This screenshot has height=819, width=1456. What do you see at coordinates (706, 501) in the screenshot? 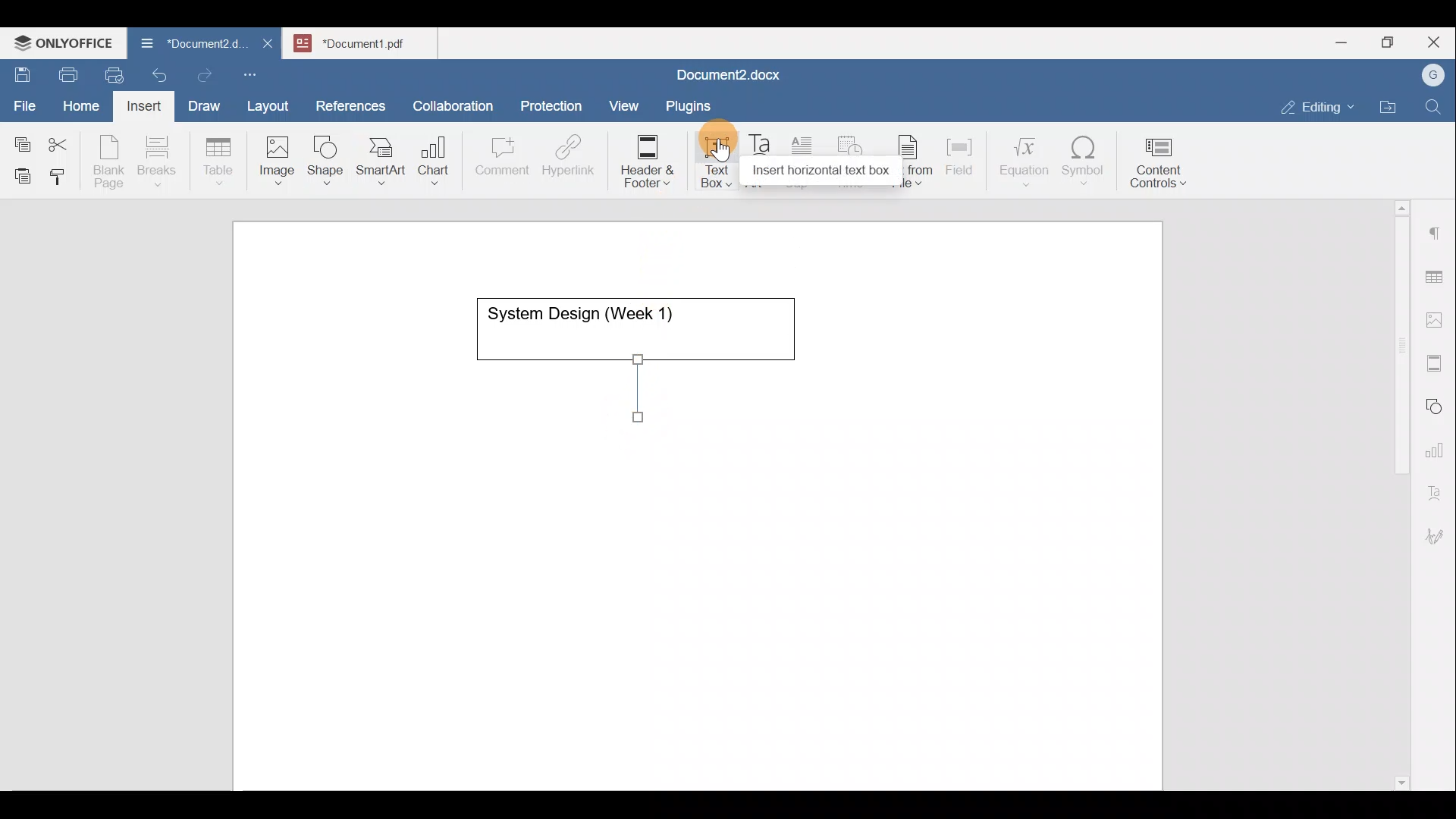
I see `Working area` at bounding box center [706, 501].